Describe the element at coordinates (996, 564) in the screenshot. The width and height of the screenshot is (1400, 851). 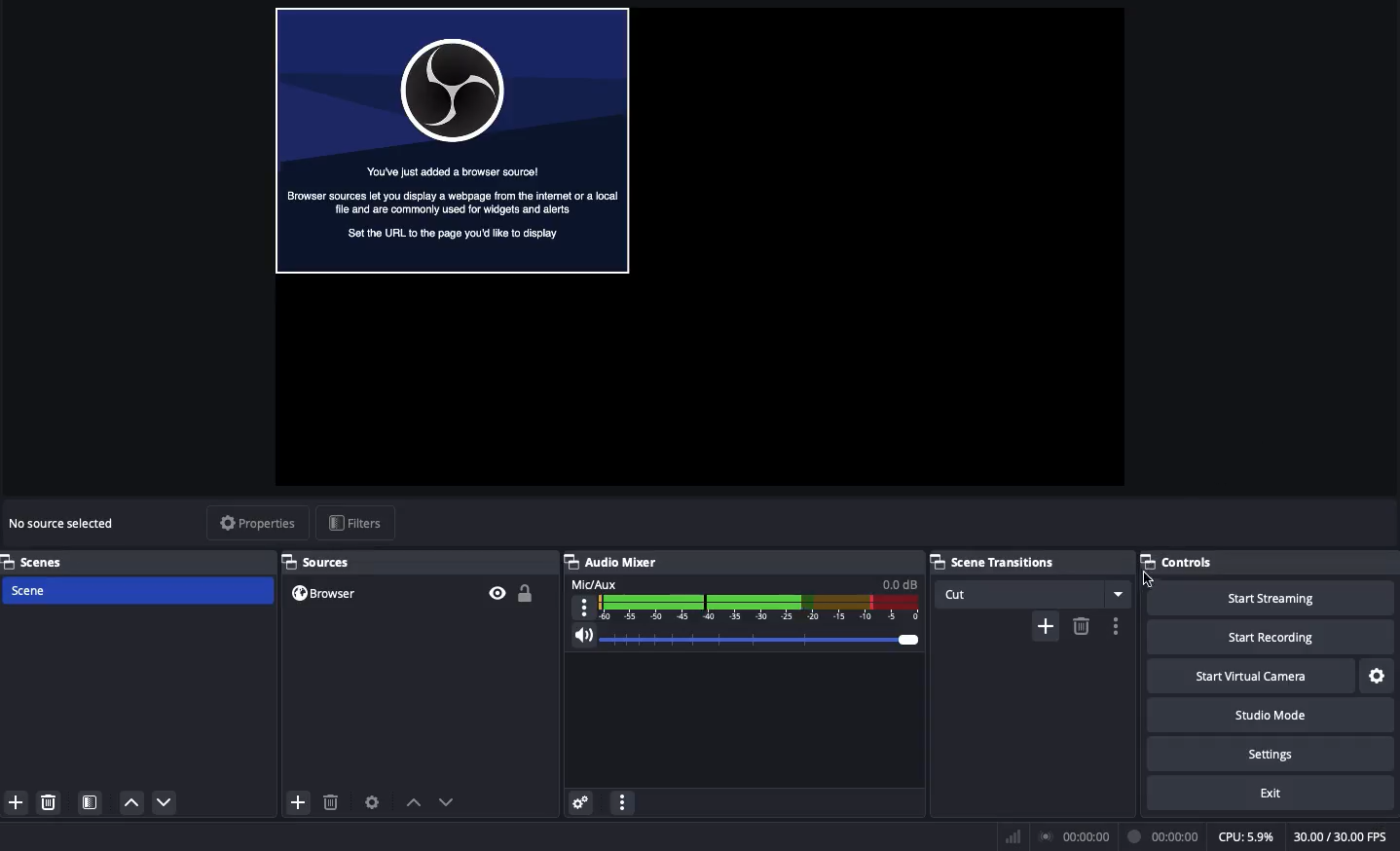
I see `Scene transitions` at that location.